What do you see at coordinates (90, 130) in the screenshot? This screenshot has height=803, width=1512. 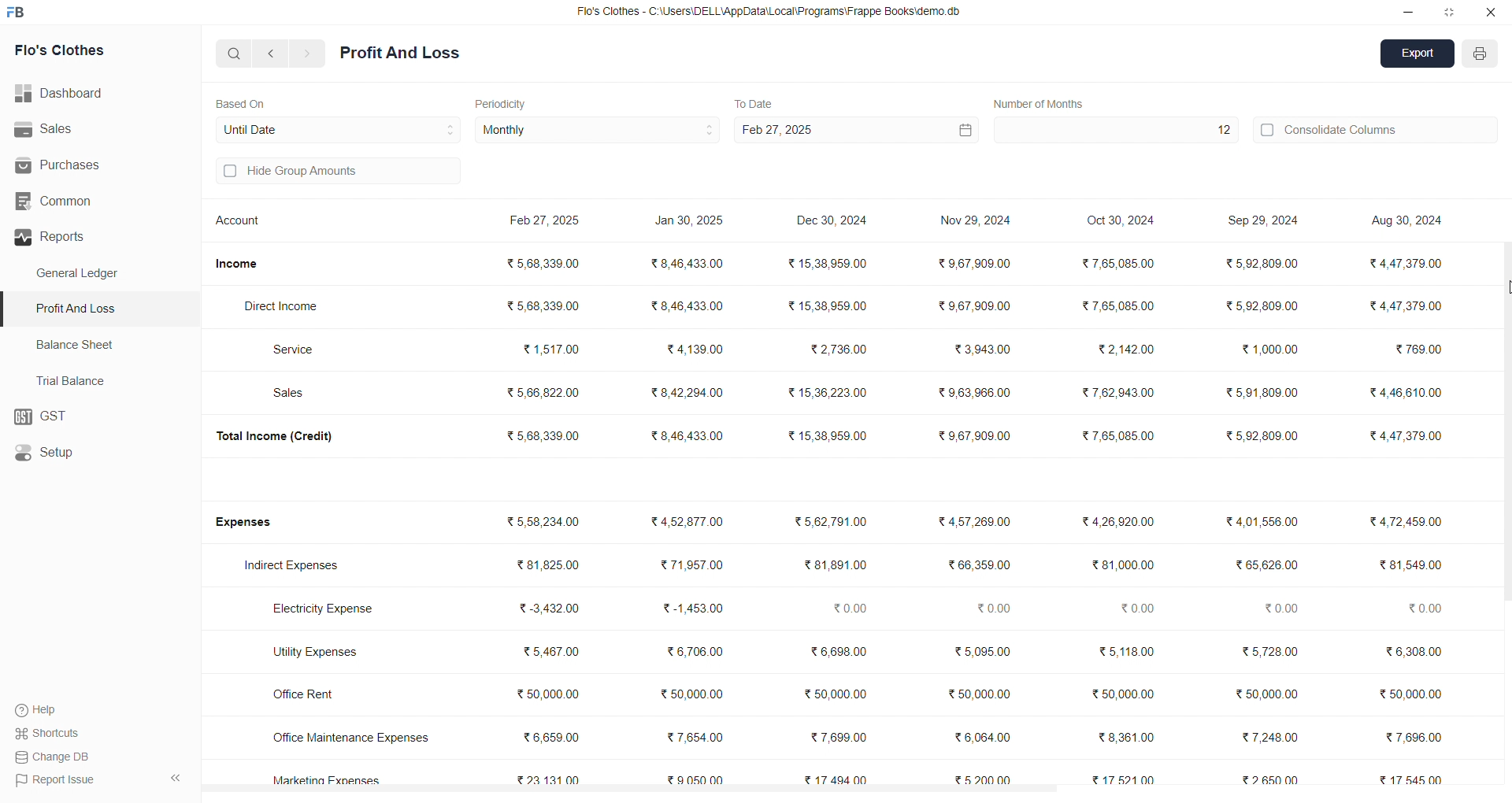 I see `Sales` at bounding box center [90, 130].